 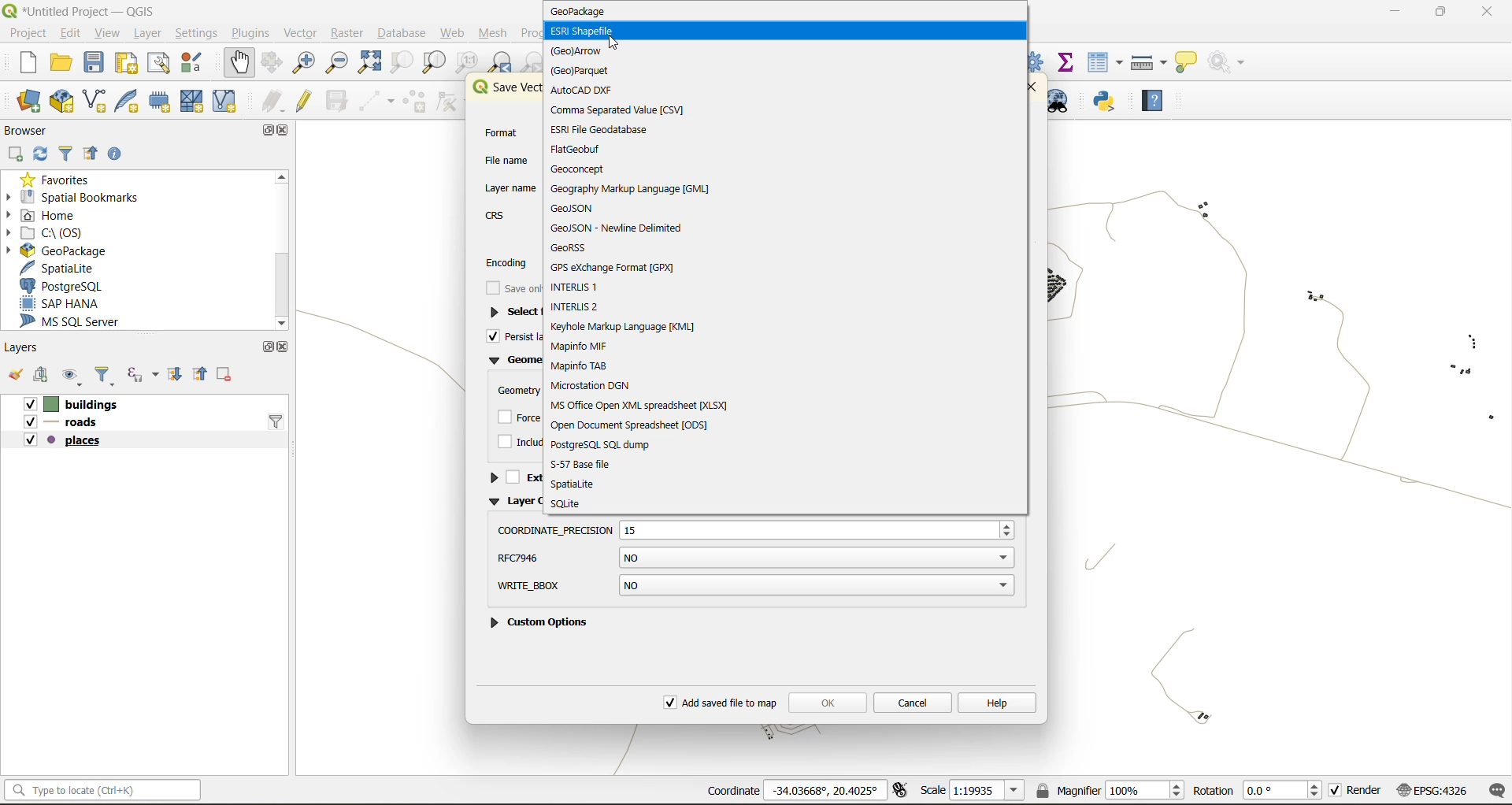 What do you see at coordinates (1110, 103) in the screenshot?
I see `python` at bounding box center [1110, 103].